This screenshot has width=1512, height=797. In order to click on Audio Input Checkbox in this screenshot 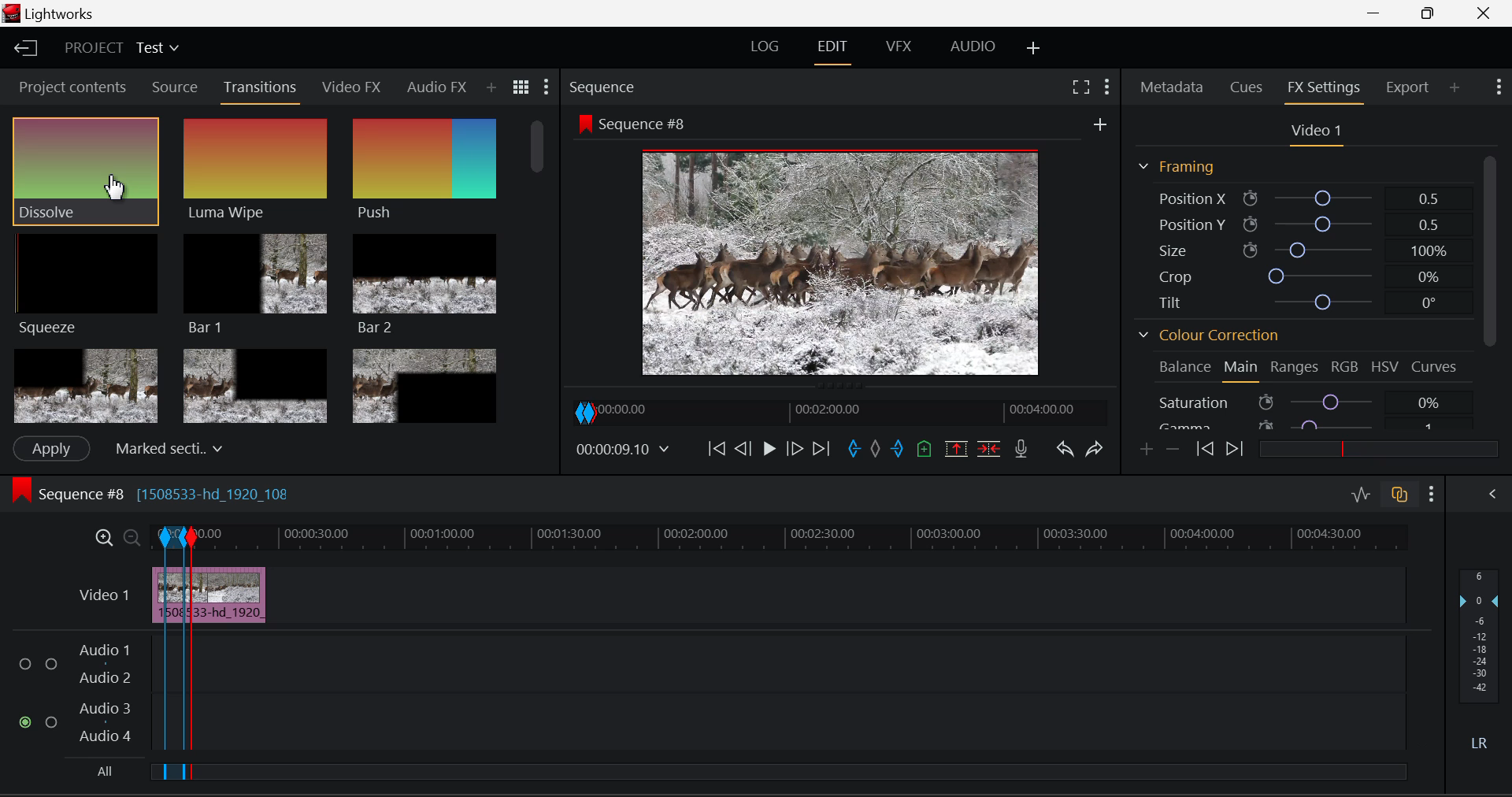, I will do `click(52, 721)`.